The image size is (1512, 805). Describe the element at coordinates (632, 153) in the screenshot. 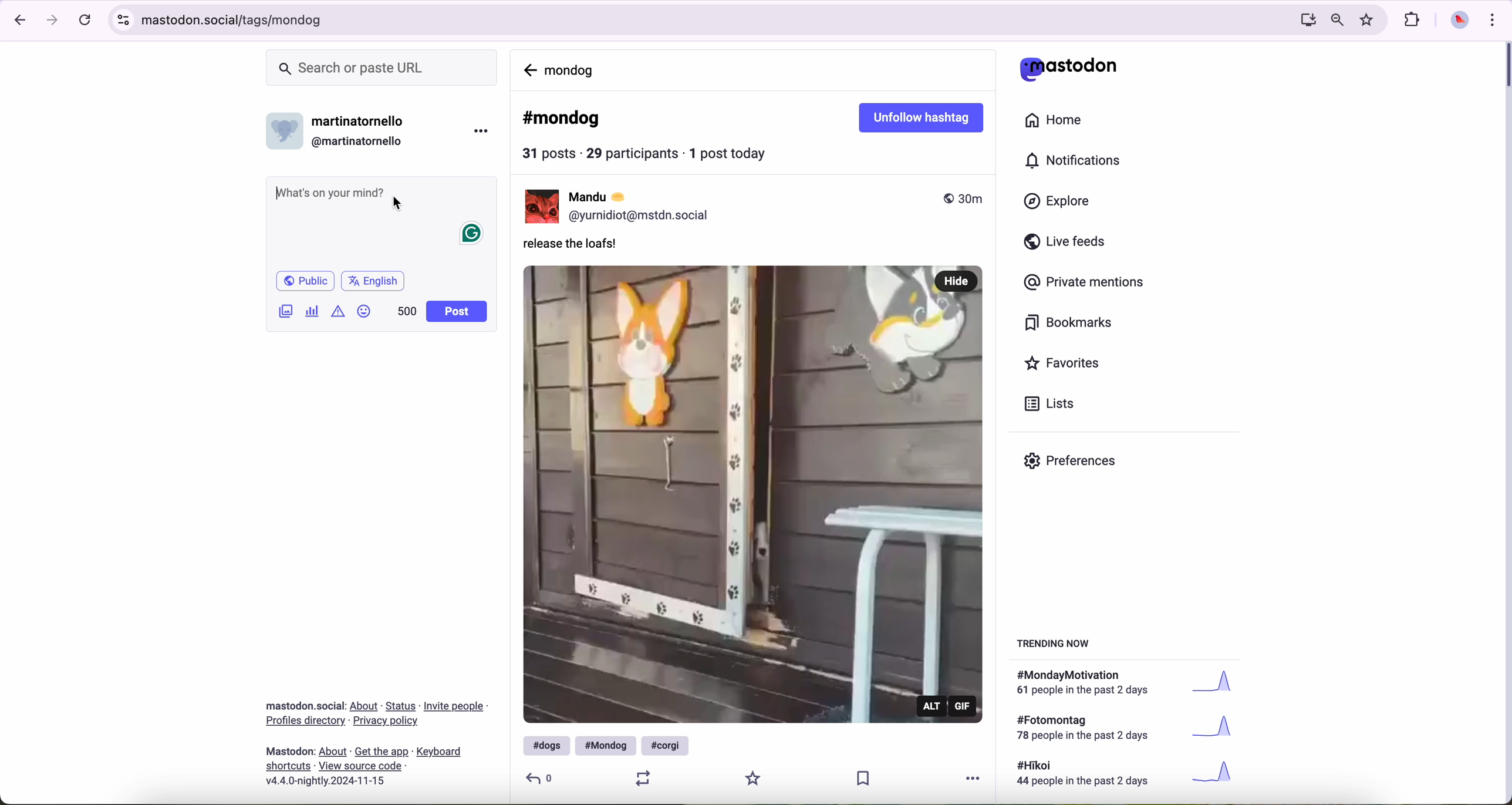

I see `29 participants` at that location.